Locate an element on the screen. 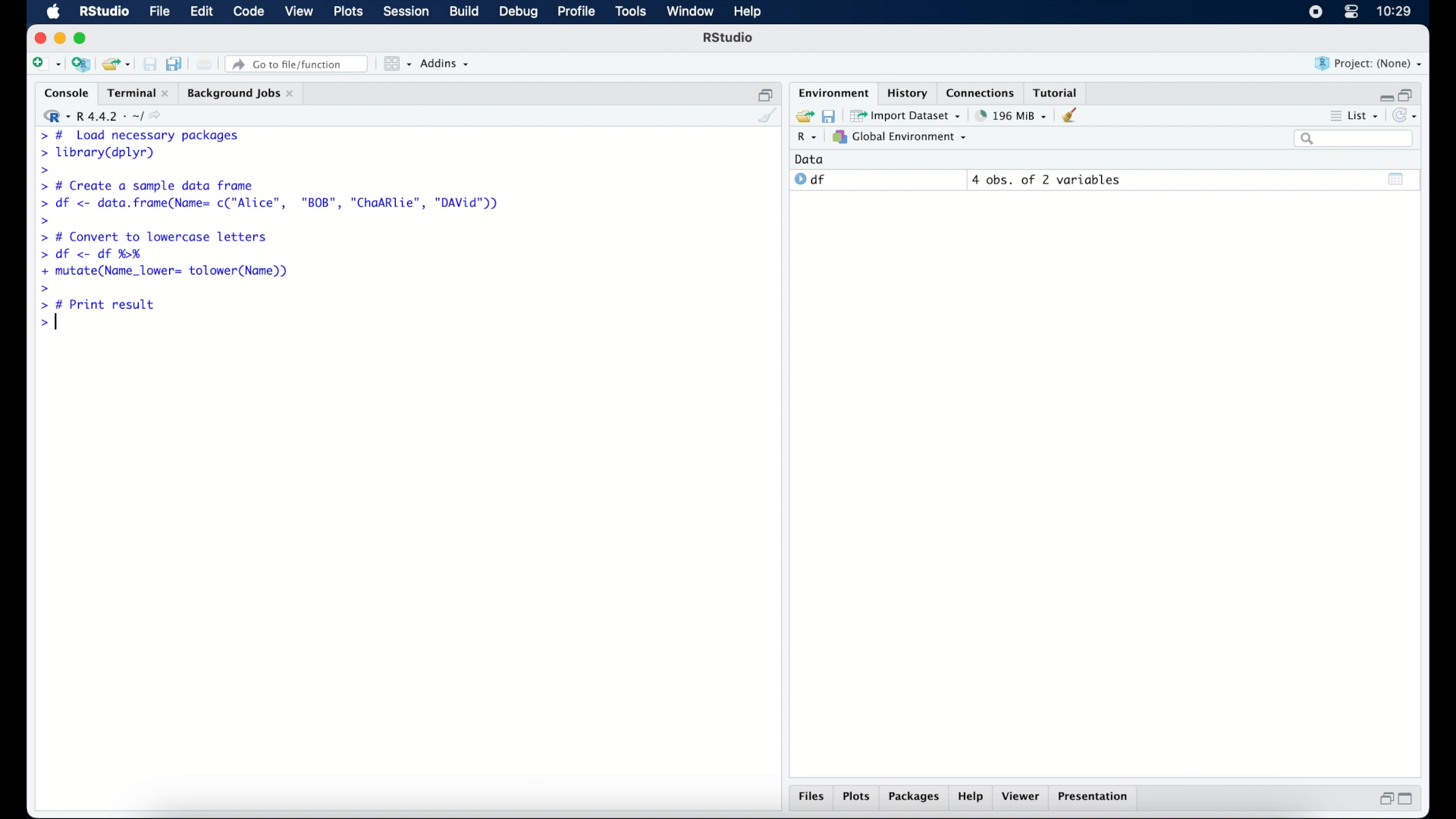 The image size is (1456, 819). Terminal is located at coordinates (133, 93).